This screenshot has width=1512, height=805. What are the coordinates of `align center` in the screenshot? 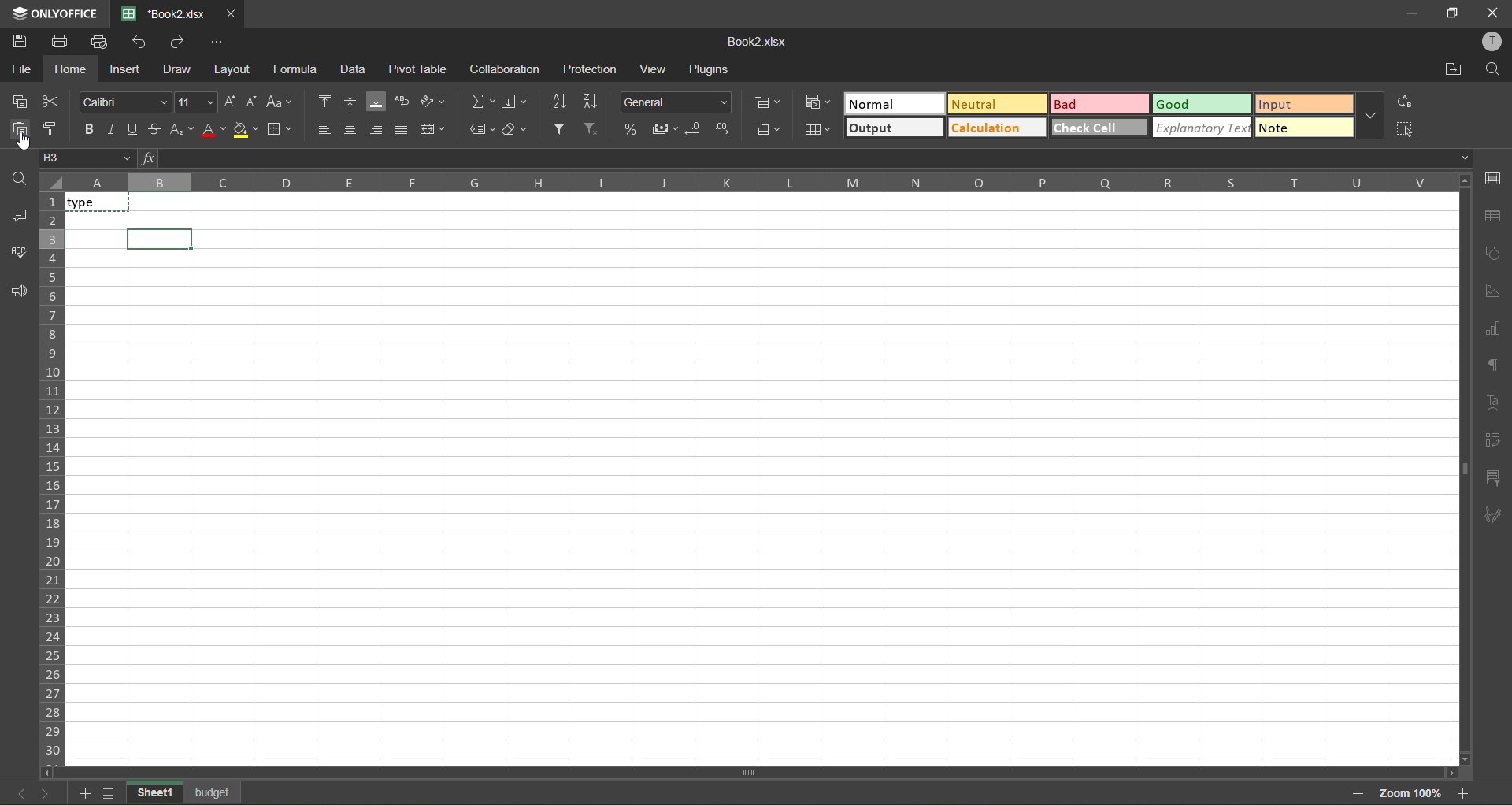 It's located at (351, 126).